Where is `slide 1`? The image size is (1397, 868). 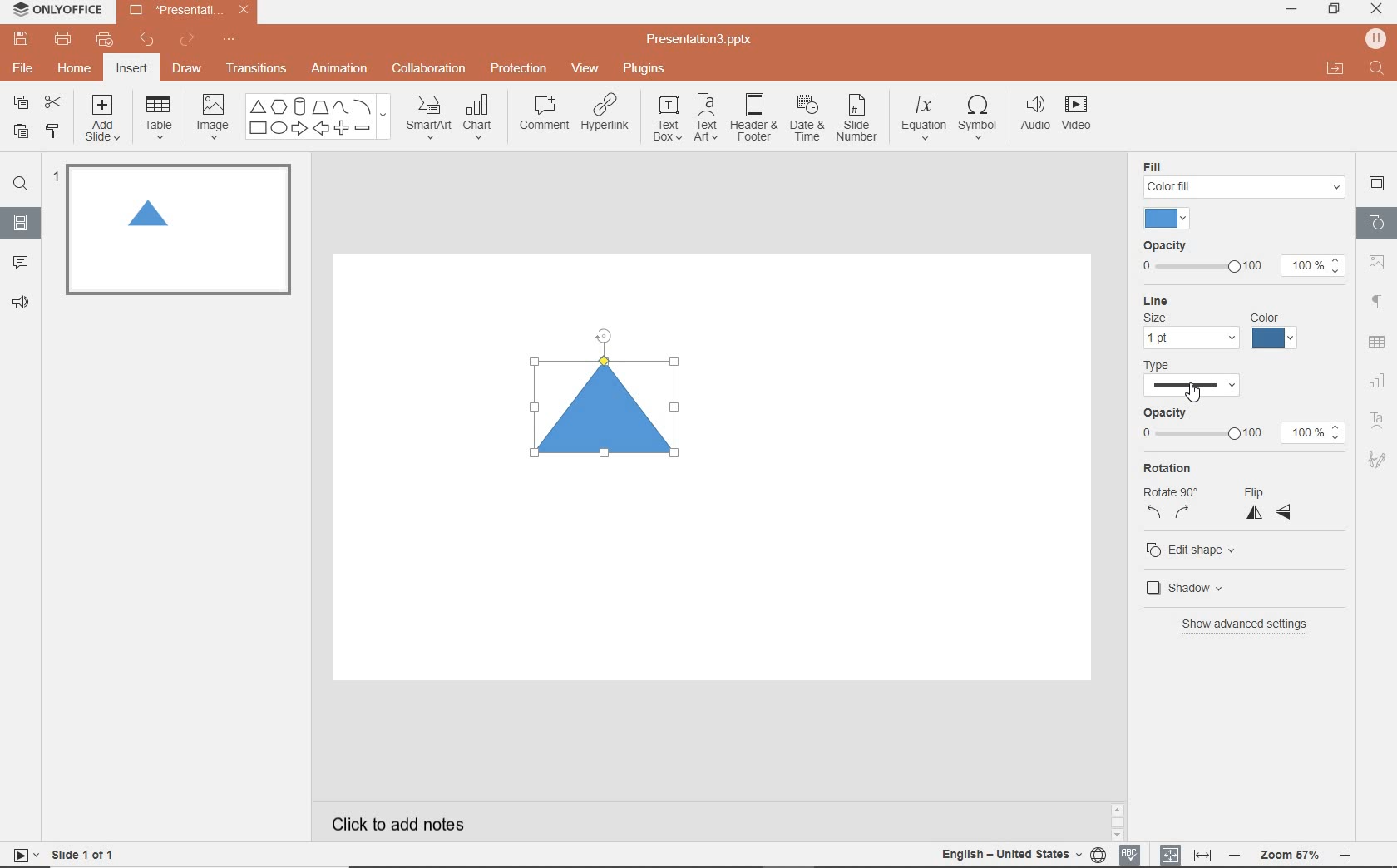 slide 1 is located at coordinates (175, 229).